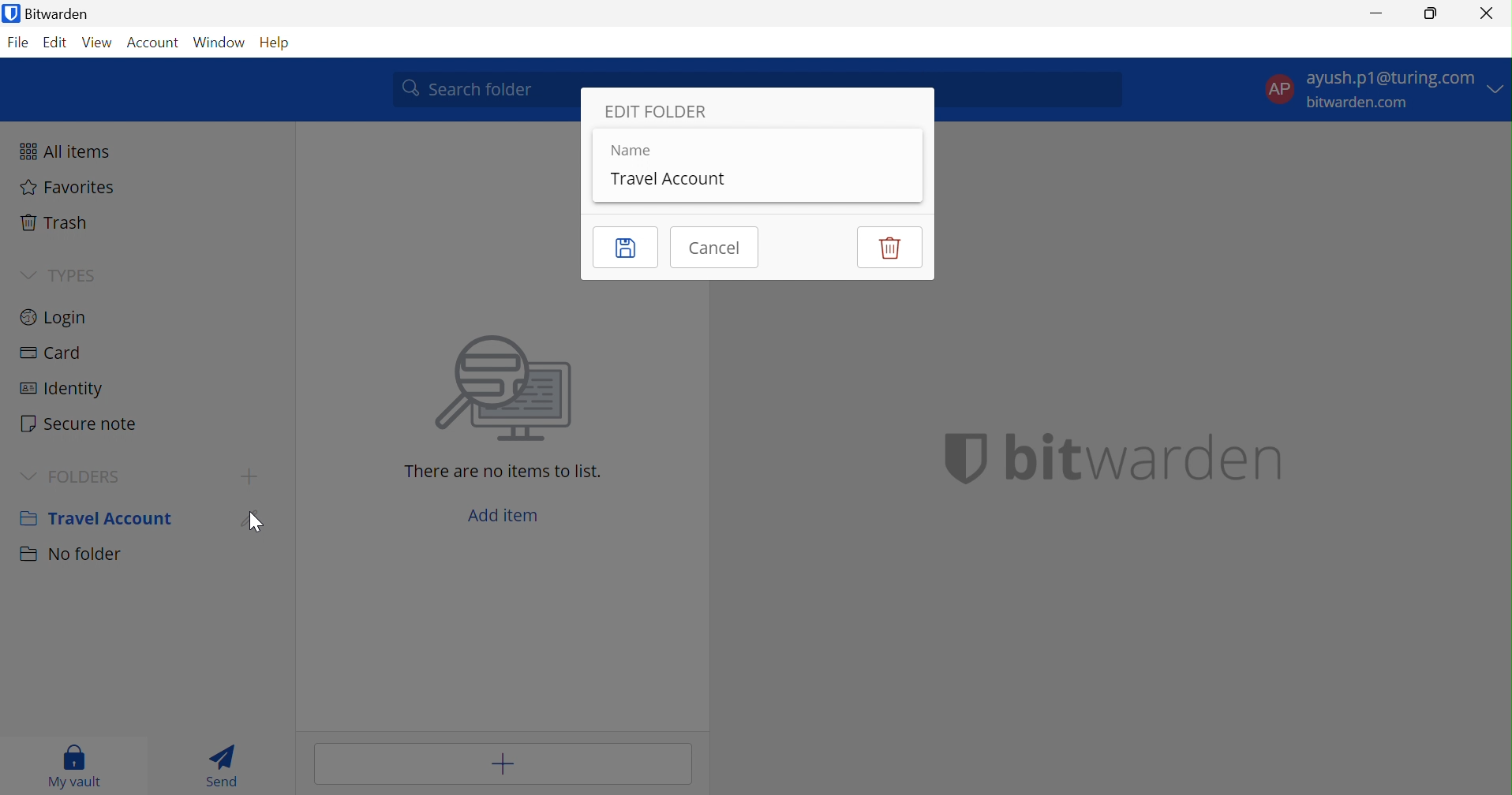  I want to click on Travel Accounts, so click(672, 178).